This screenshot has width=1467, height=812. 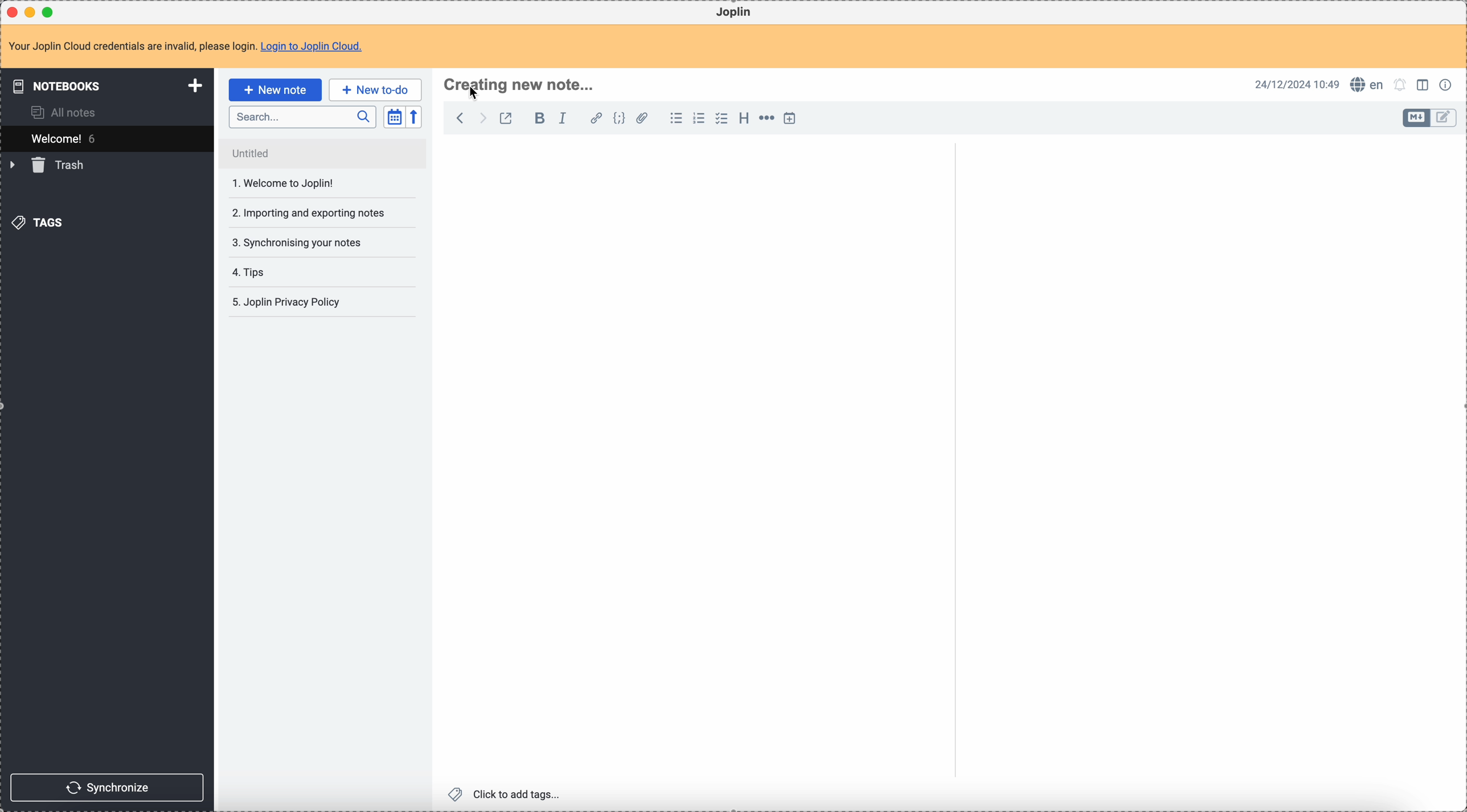 I want to click on spell checker, so click(x=1368, y=85).